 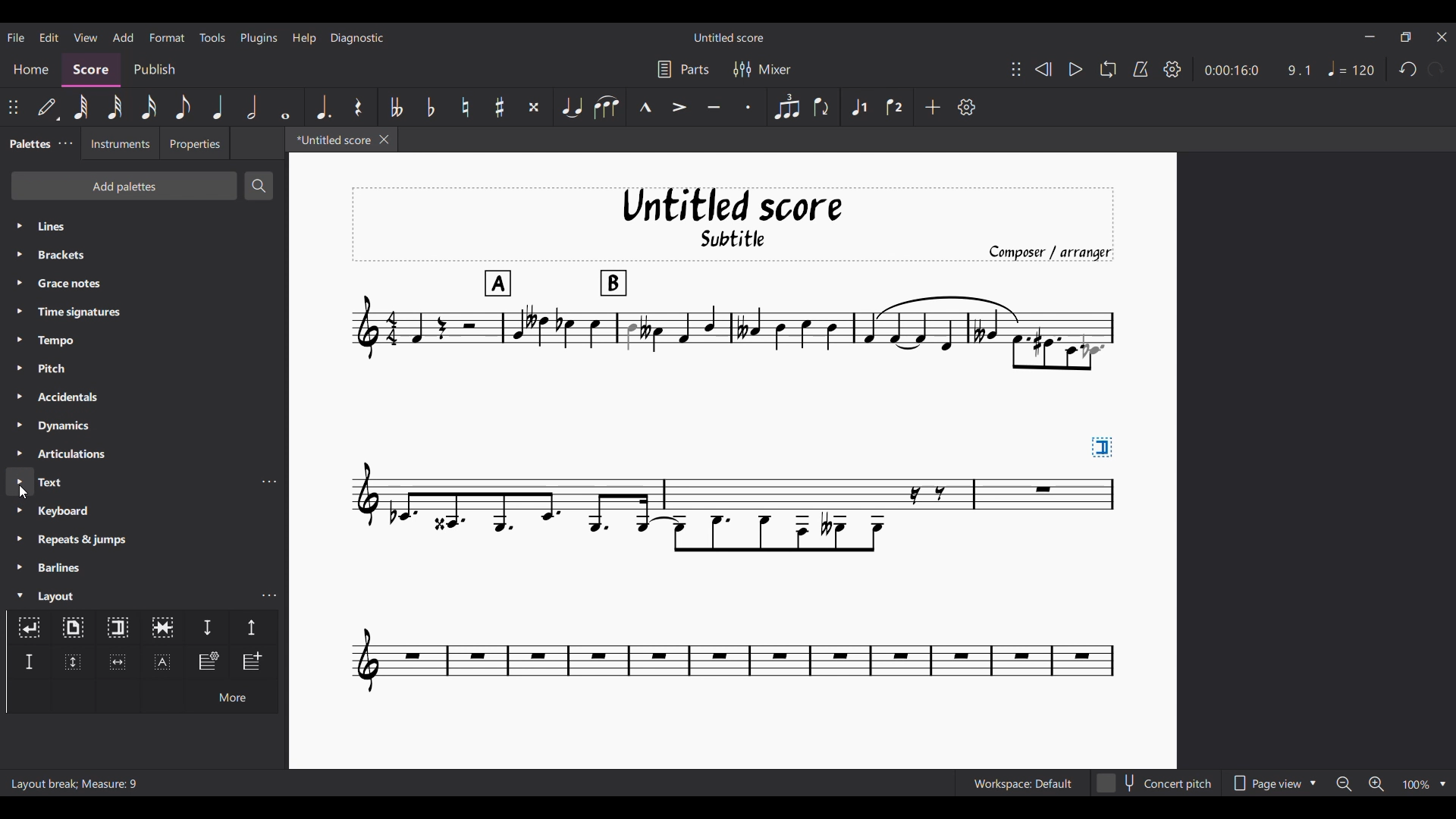 What do you see at coordinates (168, 37) in the screenshot?
I see `Format menu` at bounding box center [168, 37].